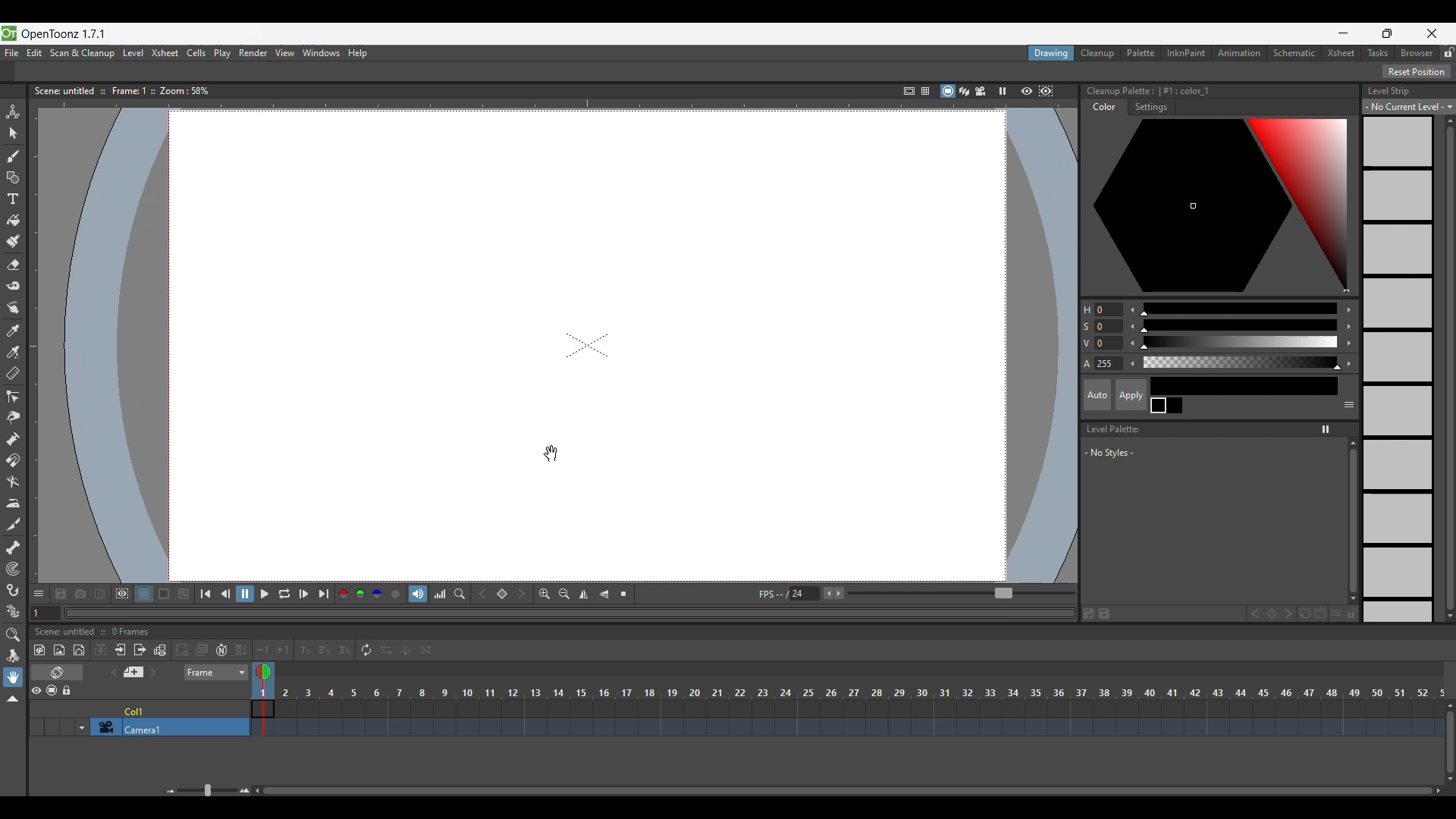 This screenshot has height=819, width=1456. Describe the element at coordinates (623, 594) in the screenshot. I see `Reset view` at that location.